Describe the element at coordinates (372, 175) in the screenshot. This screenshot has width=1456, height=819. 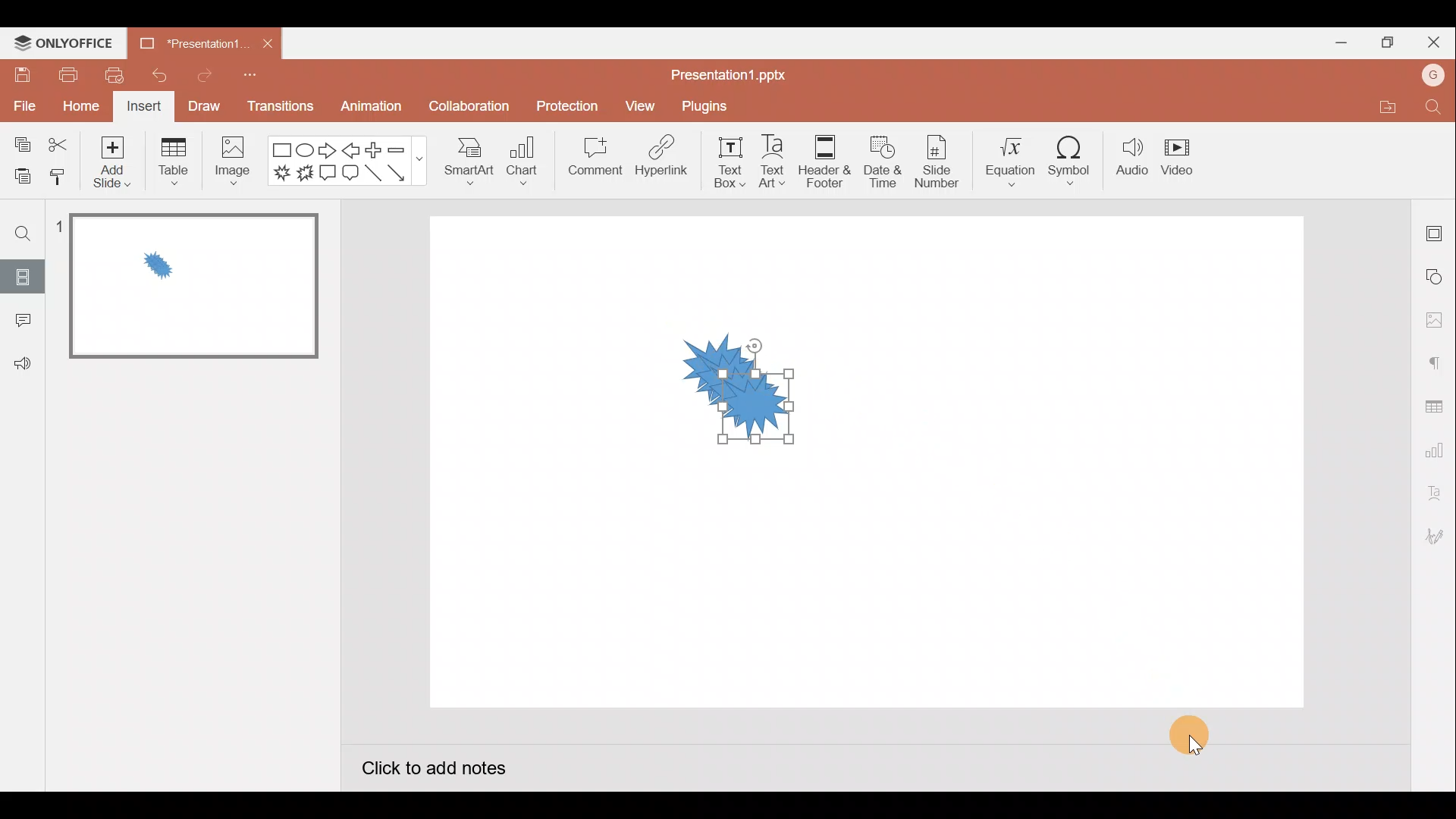
I see `Line` at that location.